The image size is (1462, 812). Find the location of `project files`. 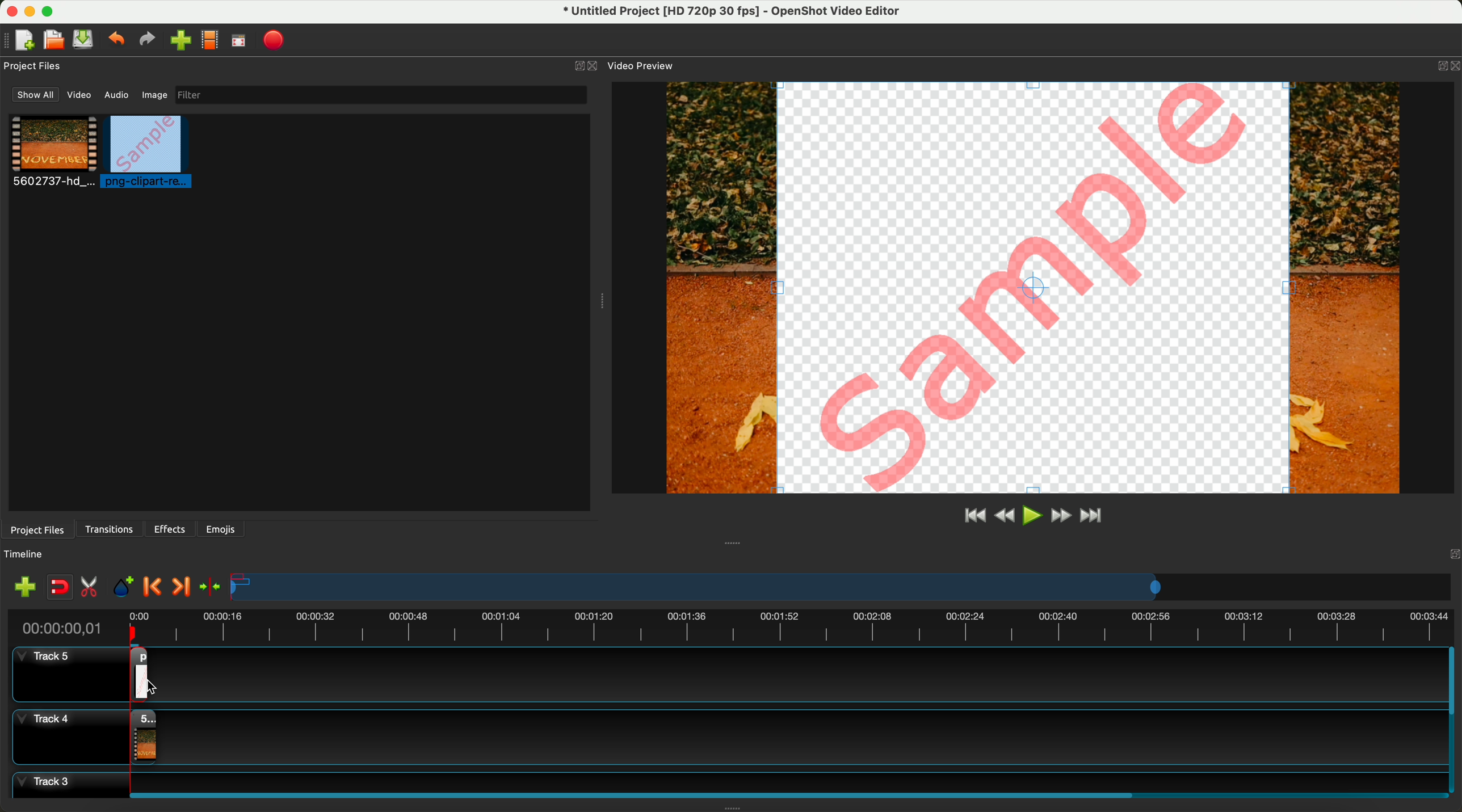

project files is located at coordinates (34, 66).